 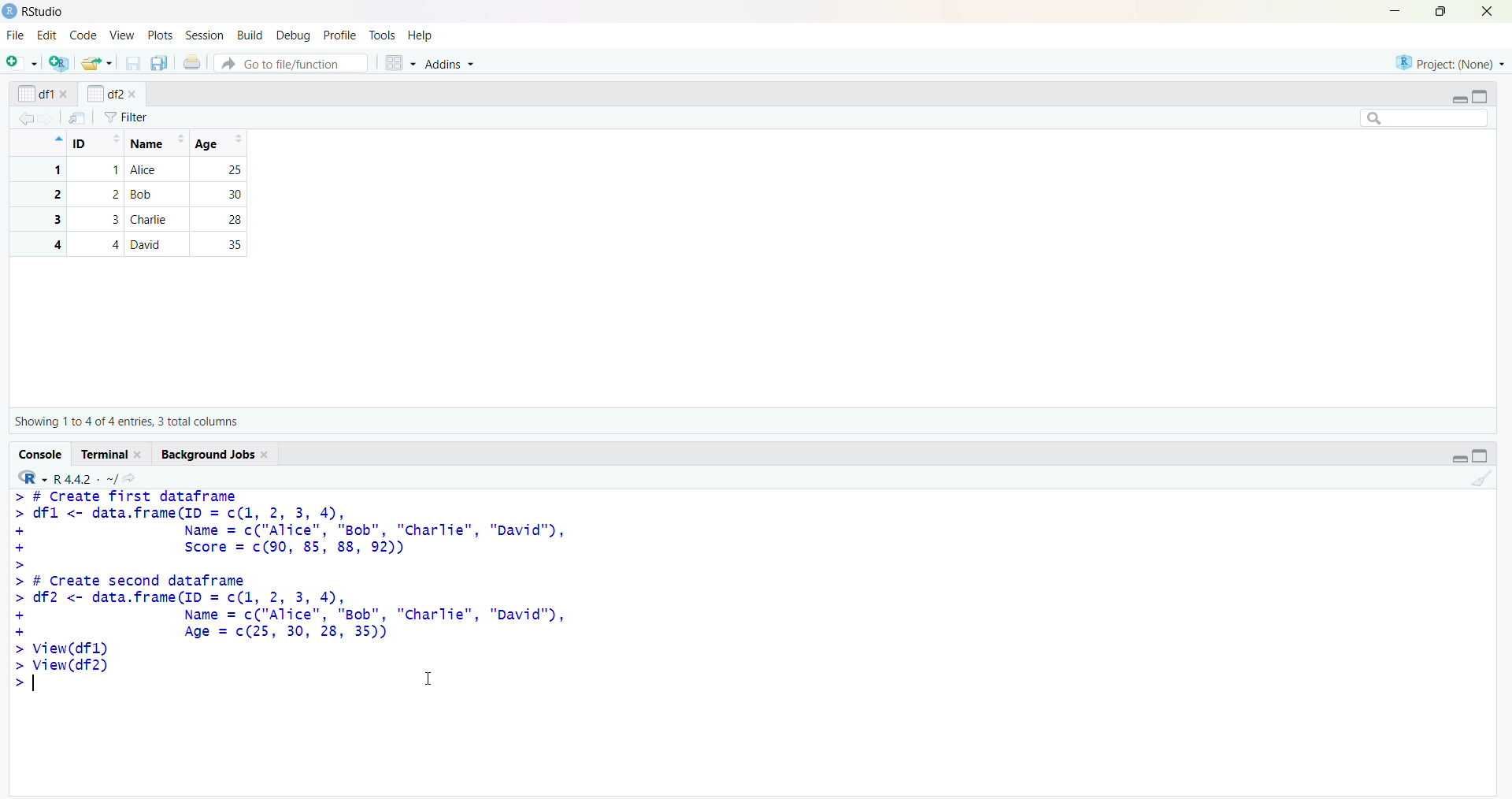 I want to click on Name, so click(x=156, y=143).